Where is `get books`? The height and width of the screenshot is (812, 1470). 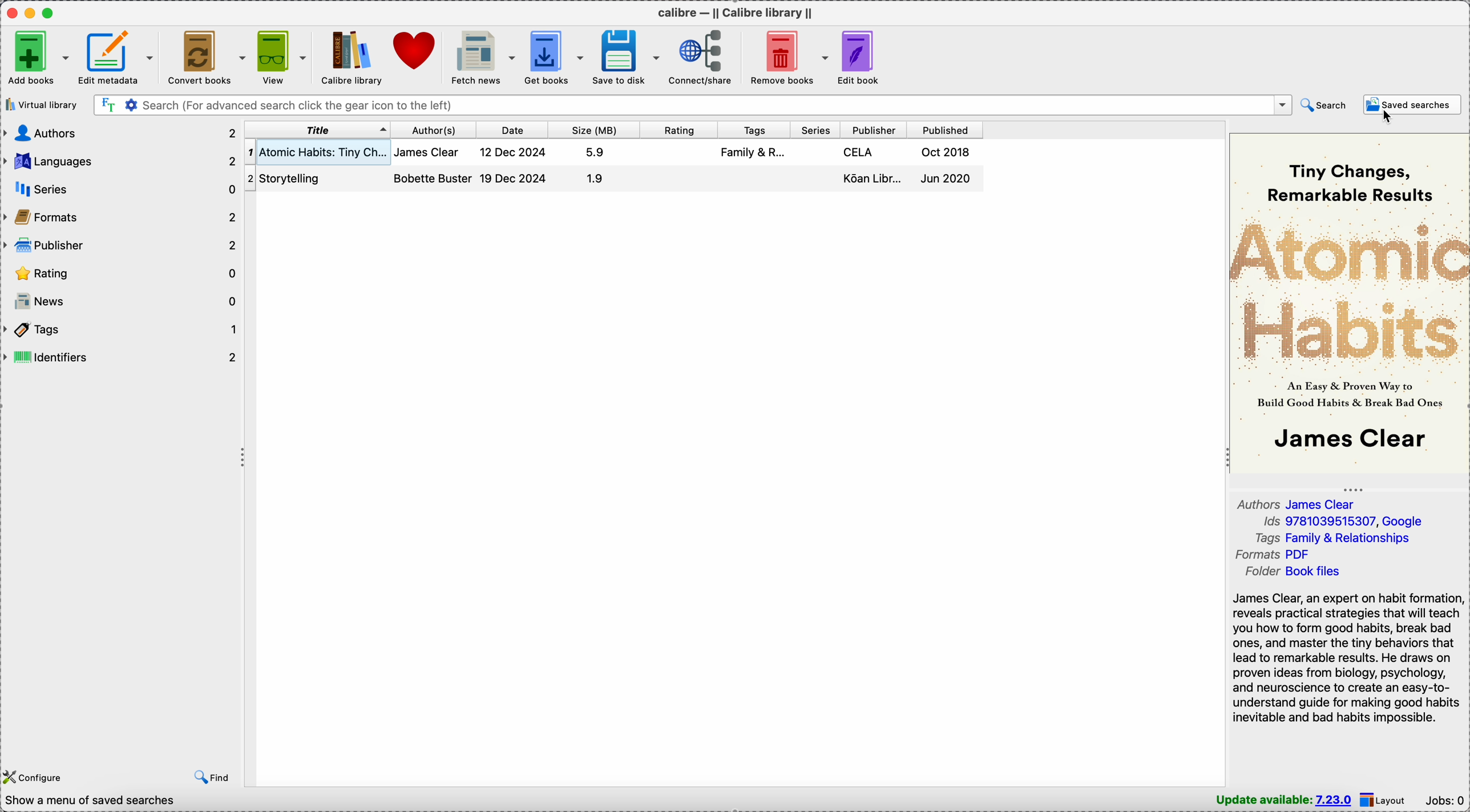
get books is located at coordinates (555, 56).